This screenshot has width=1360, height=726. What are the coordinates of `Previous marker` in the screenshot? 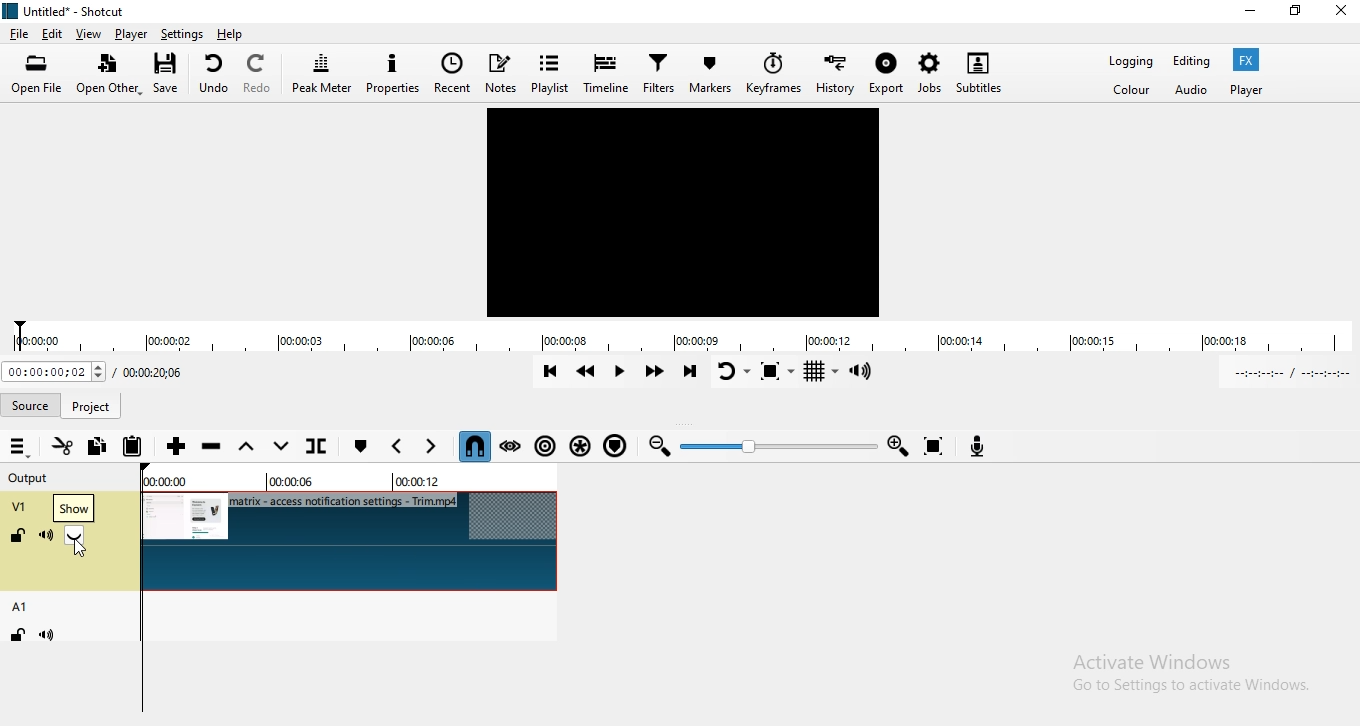 It's located at (399, 447).